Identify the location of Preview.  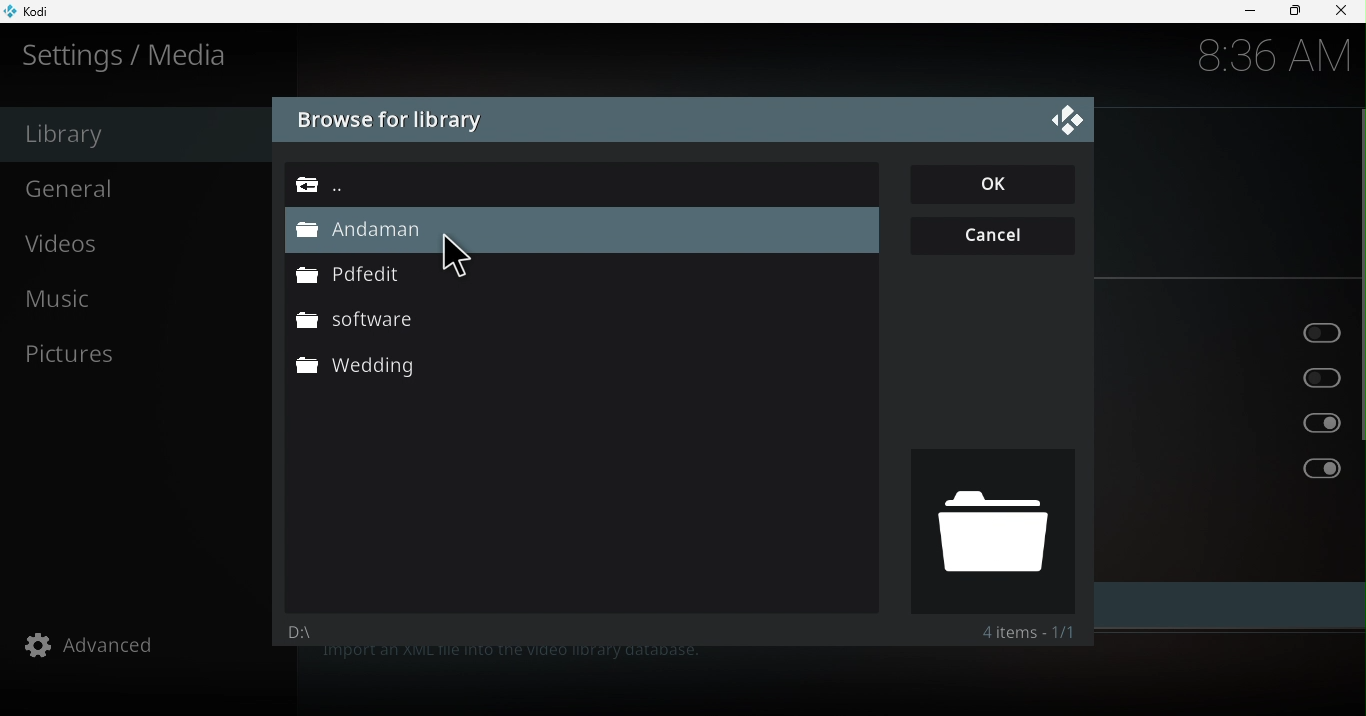
(990, 530).